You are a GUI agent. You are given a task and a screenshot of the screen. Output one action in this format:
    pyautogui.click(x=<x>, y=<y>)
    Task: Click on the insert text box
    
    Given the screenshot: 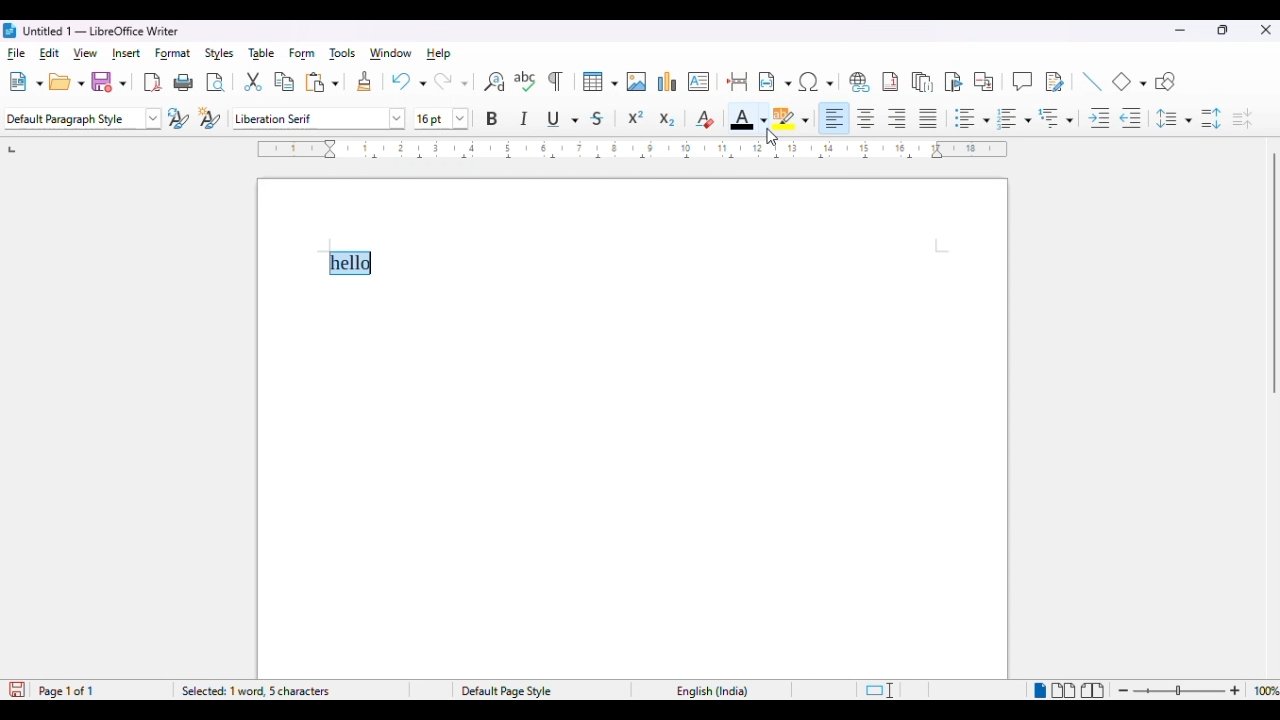 What is the action you would take?
    pyautogui.click(x=698, y=81)
    